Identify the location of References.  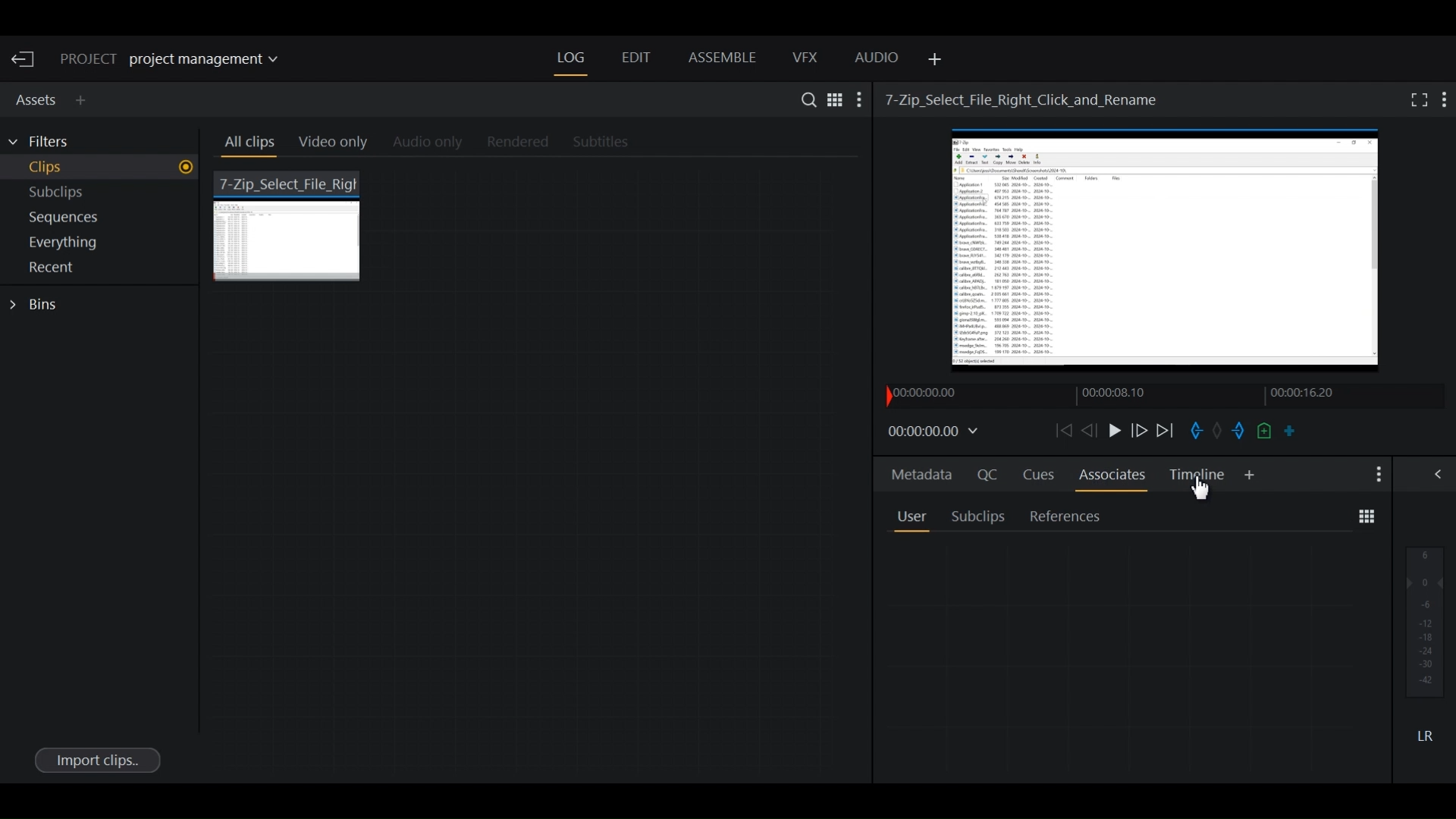
(1066, 516).